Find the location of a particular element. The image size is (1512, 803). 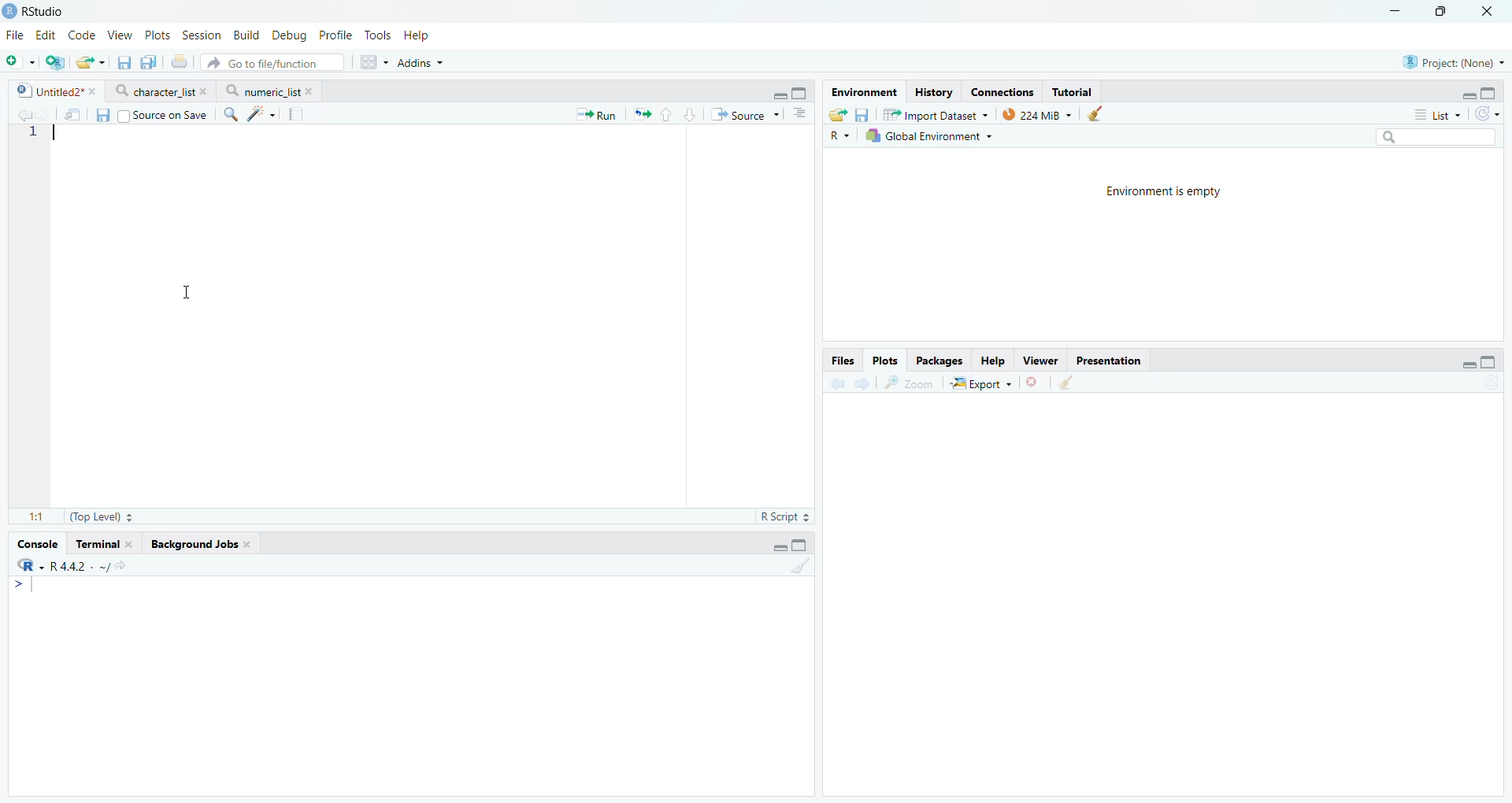

Clear is located at coordinates (802, 567).